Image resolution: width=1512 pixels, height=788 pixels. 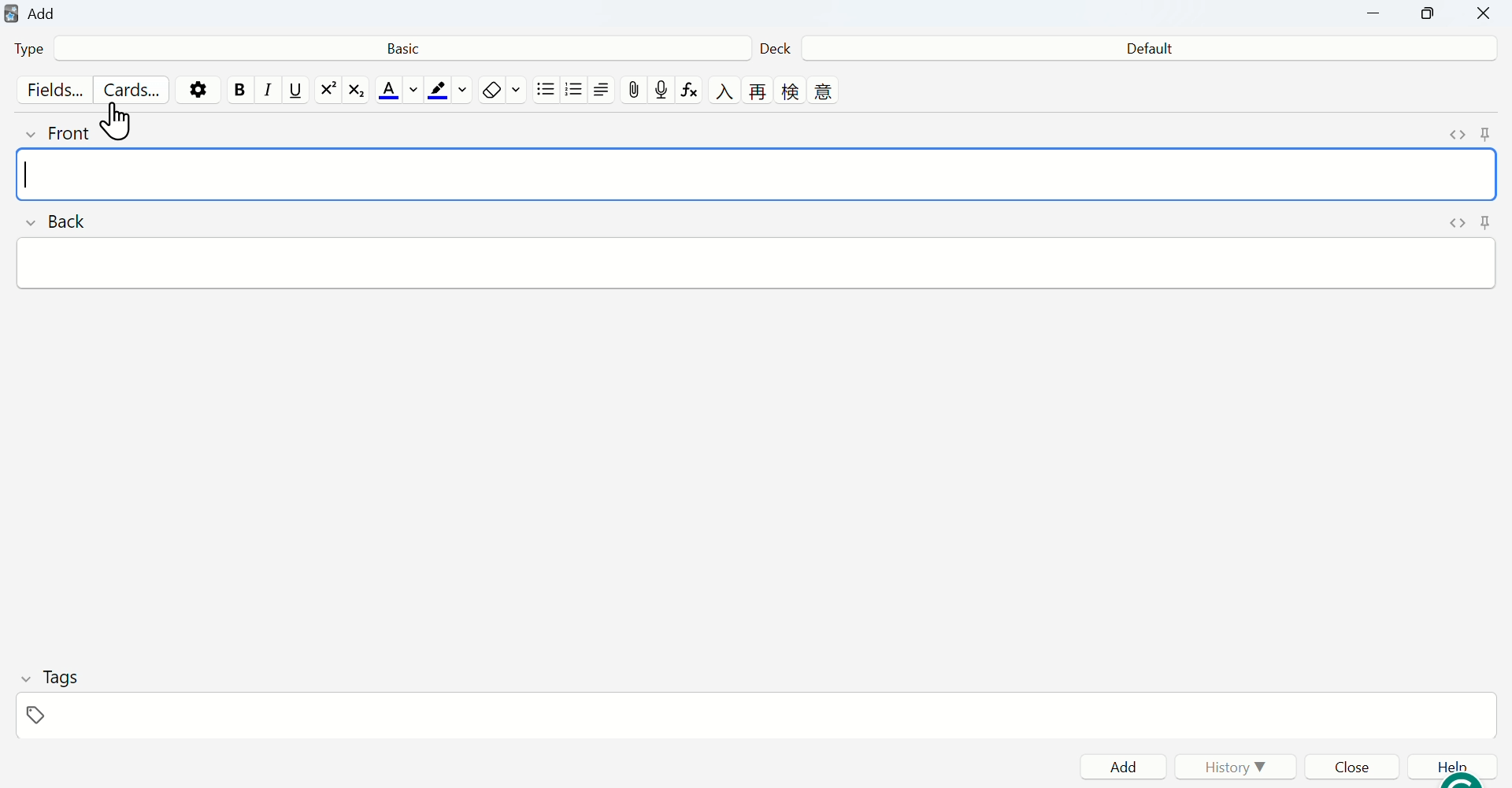 I want to click on Cards, so click(x=132, y=90).